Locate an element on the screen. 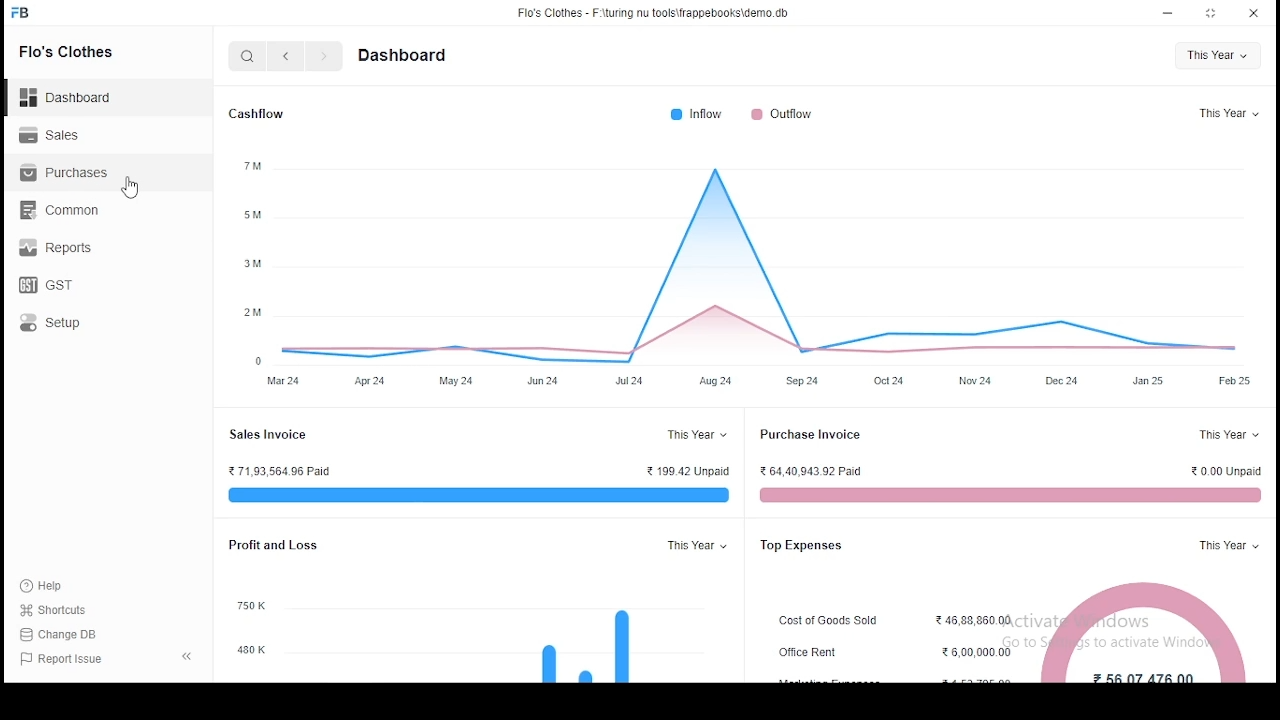  sales invoice is located at coordinates (474, 494).